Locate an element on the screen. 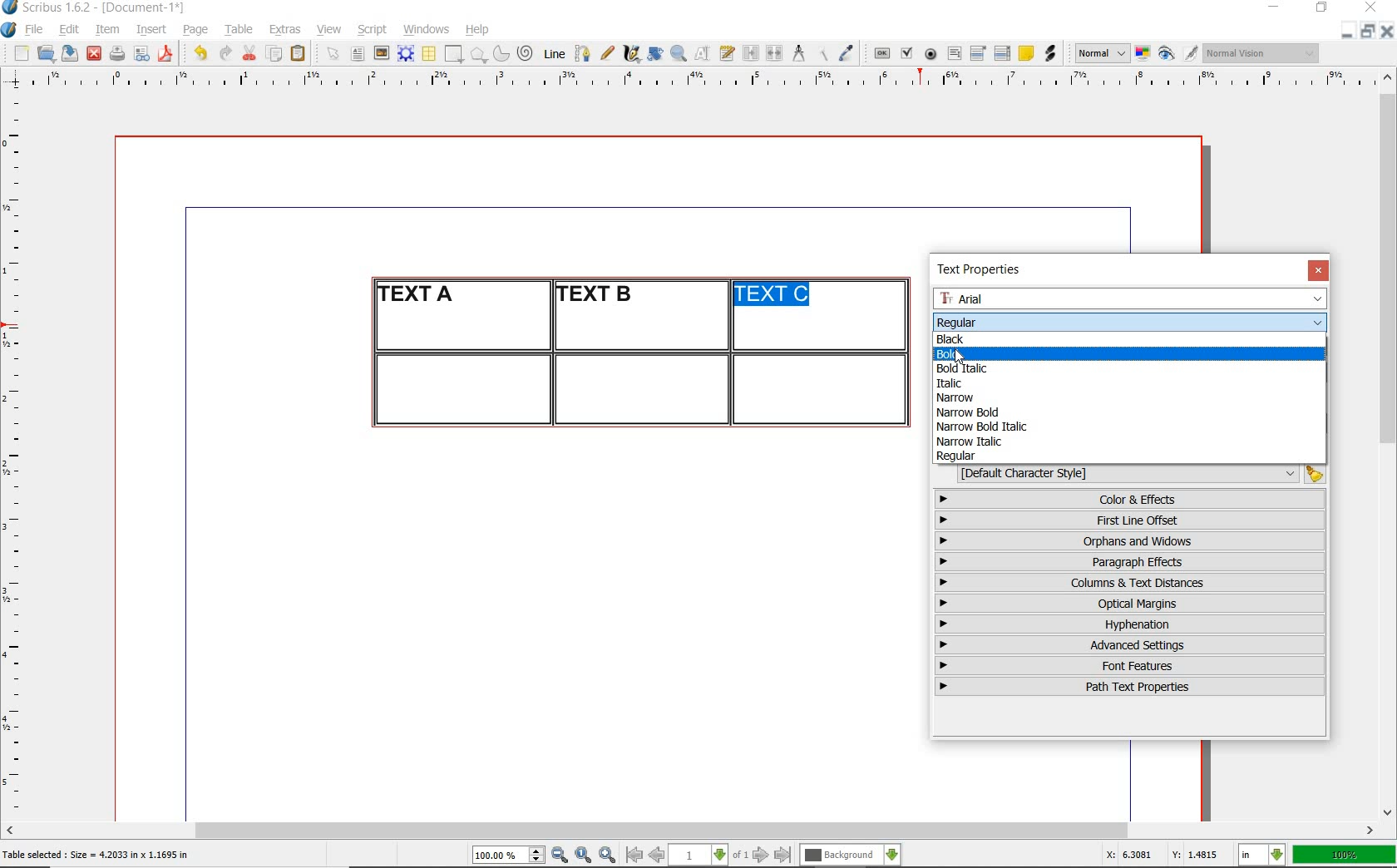 The image size is (1397, 868). minimize is located at coordinates (1276, 8).